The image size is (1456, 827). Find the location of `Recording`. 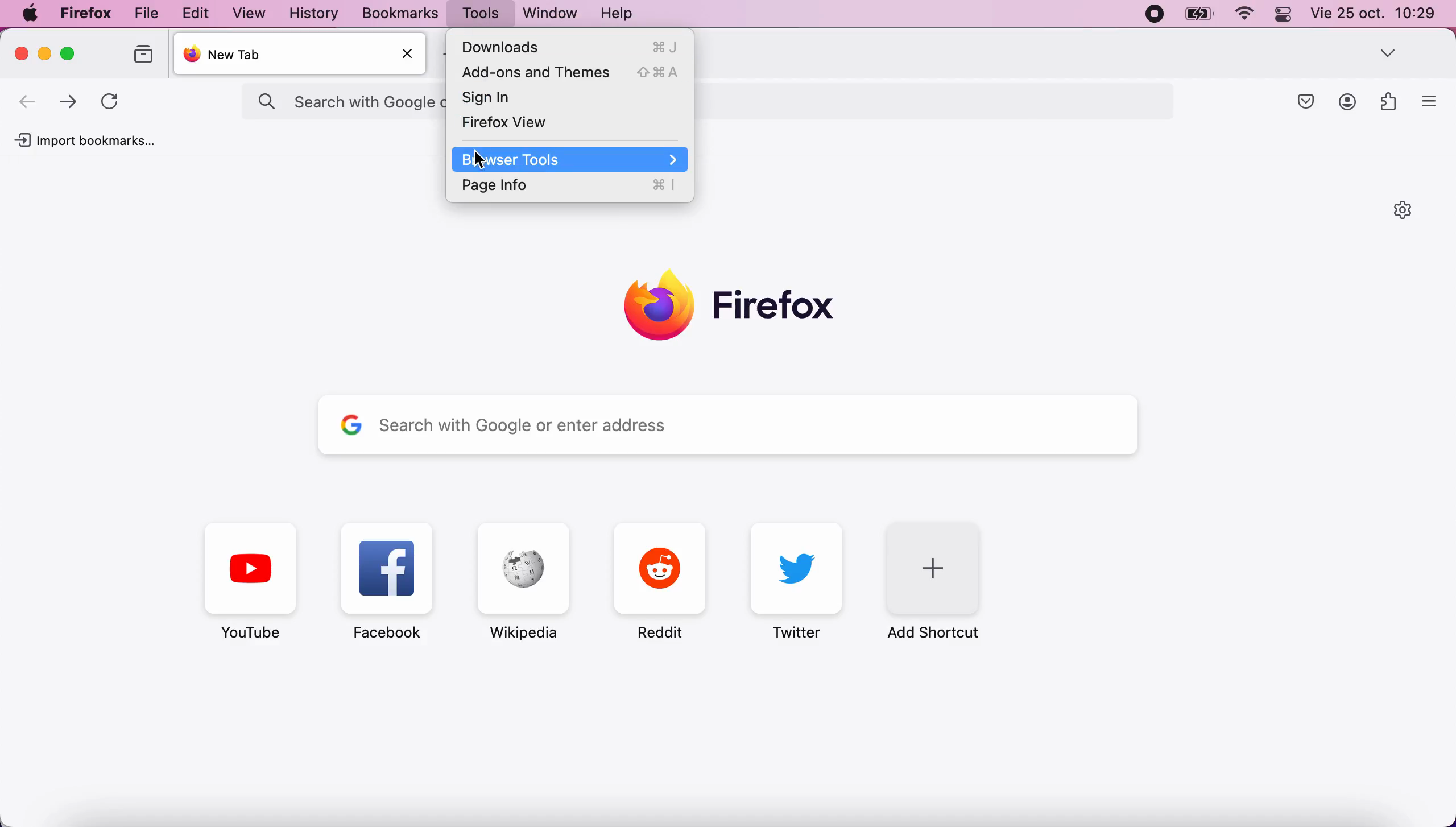

Recording is located at coordinates (1156, 14).